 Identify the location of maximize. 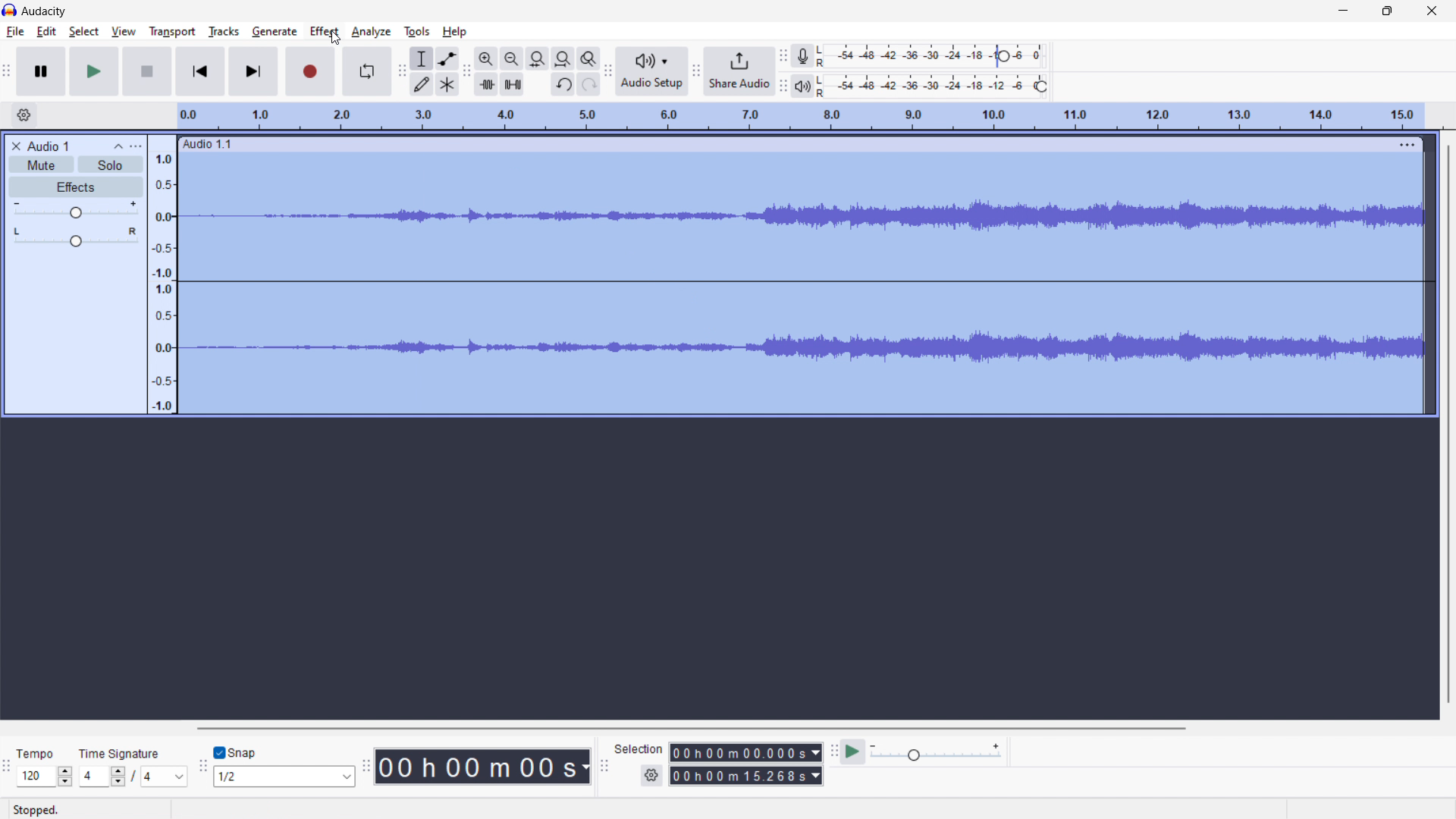
(1387, 12).